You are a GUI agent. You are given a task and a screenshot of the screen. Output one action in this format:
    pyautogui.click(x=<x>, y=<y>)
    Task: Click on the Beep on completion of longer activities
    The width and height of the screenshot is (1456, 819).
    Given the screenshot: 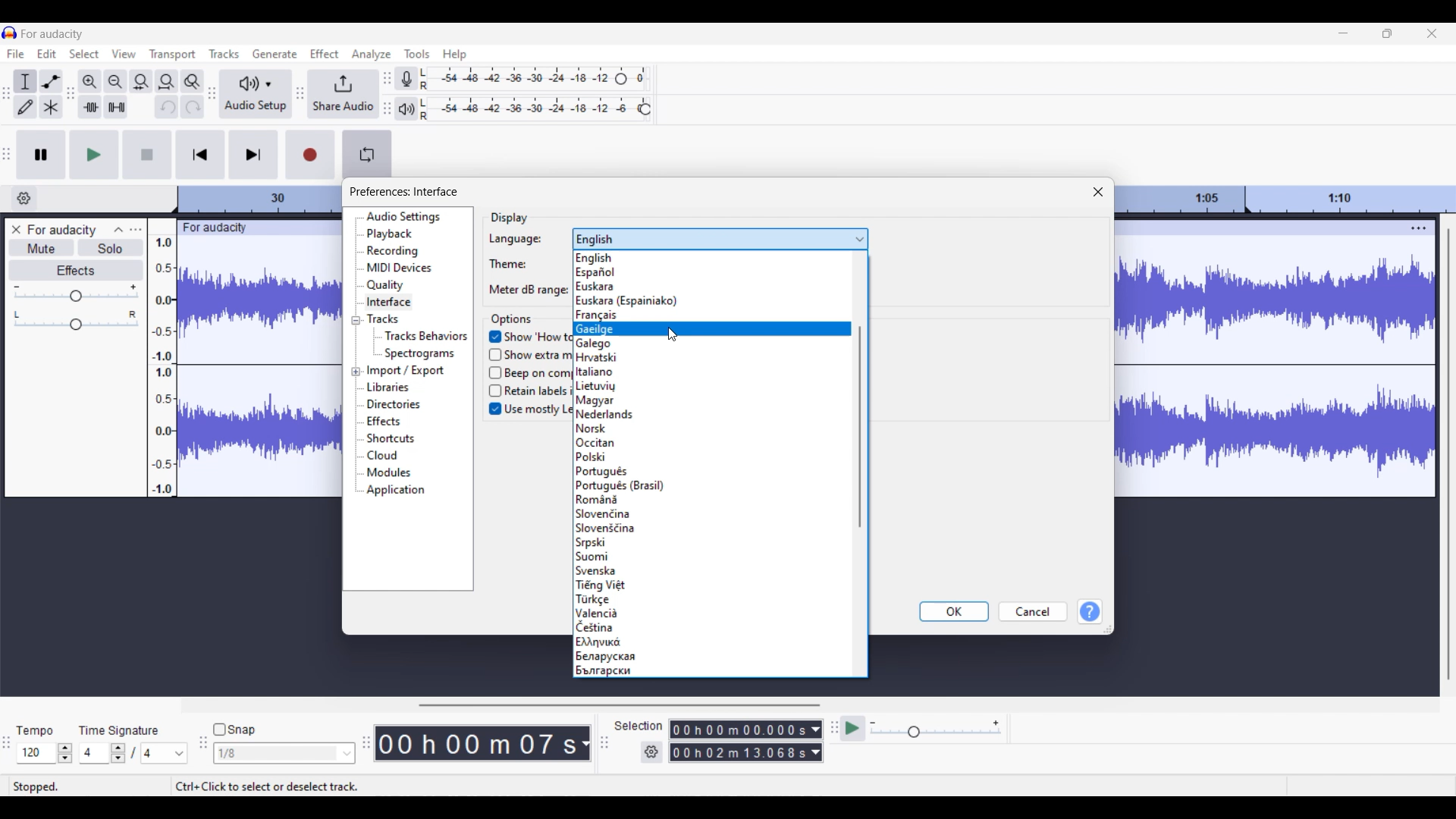 What is the action you would take?
    pyautogui.click(x=526, y=374)
    